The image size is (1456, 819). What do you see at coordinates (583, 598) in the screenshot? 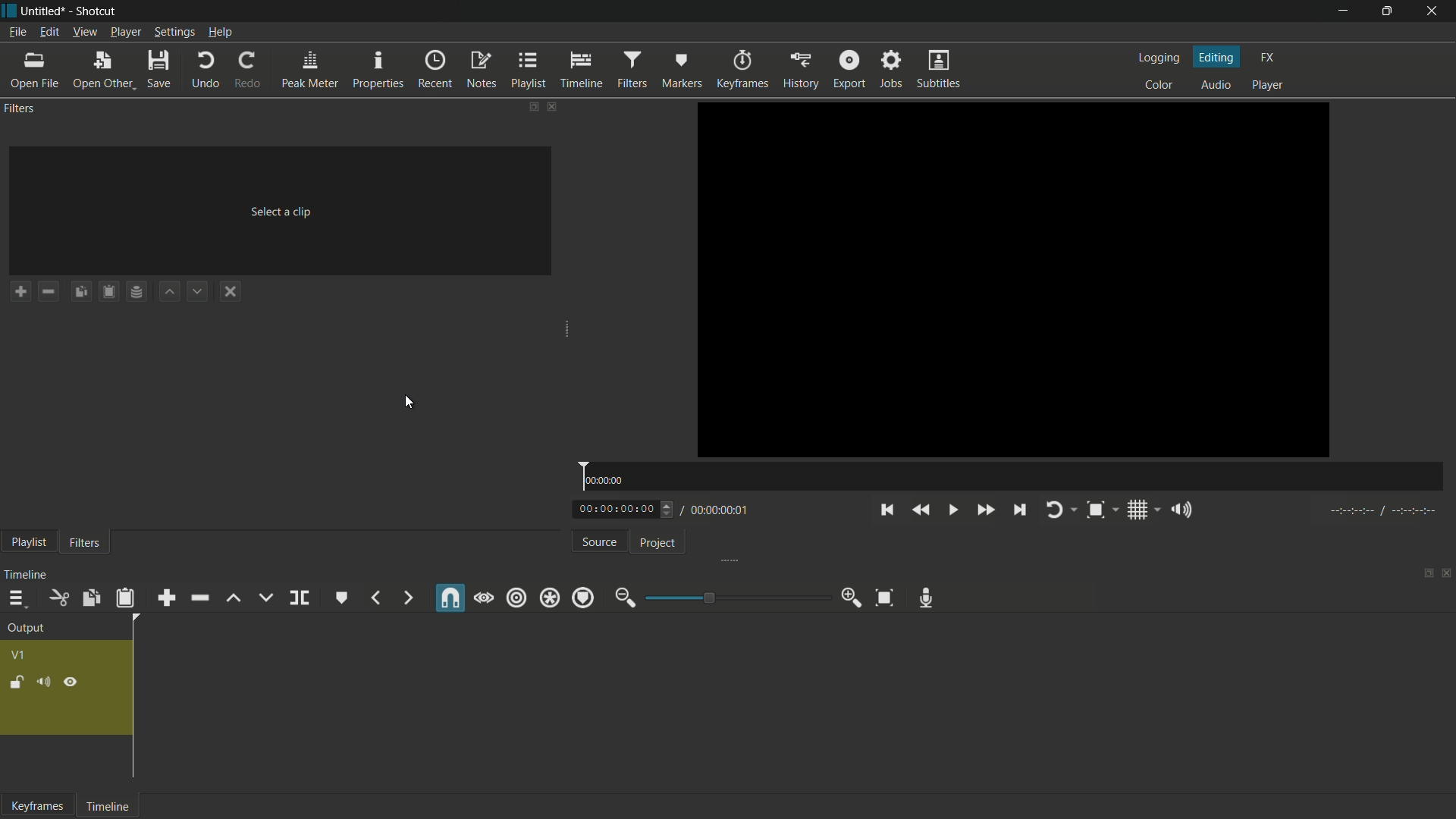
I see `ripple marker` at bounding box center [583, 598].